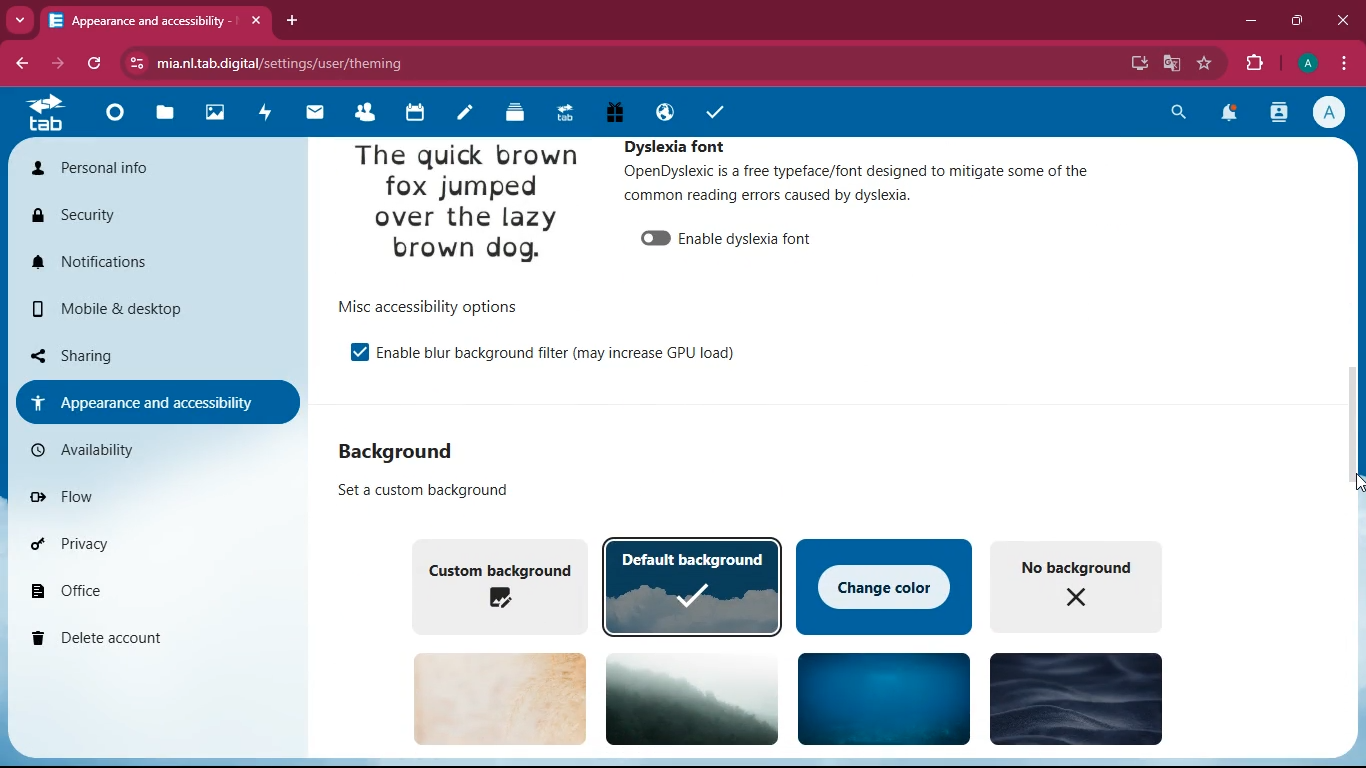 Image resolution: width=1366 pixels, height=768 pixels. I want to click on delete, so click(145, 640).